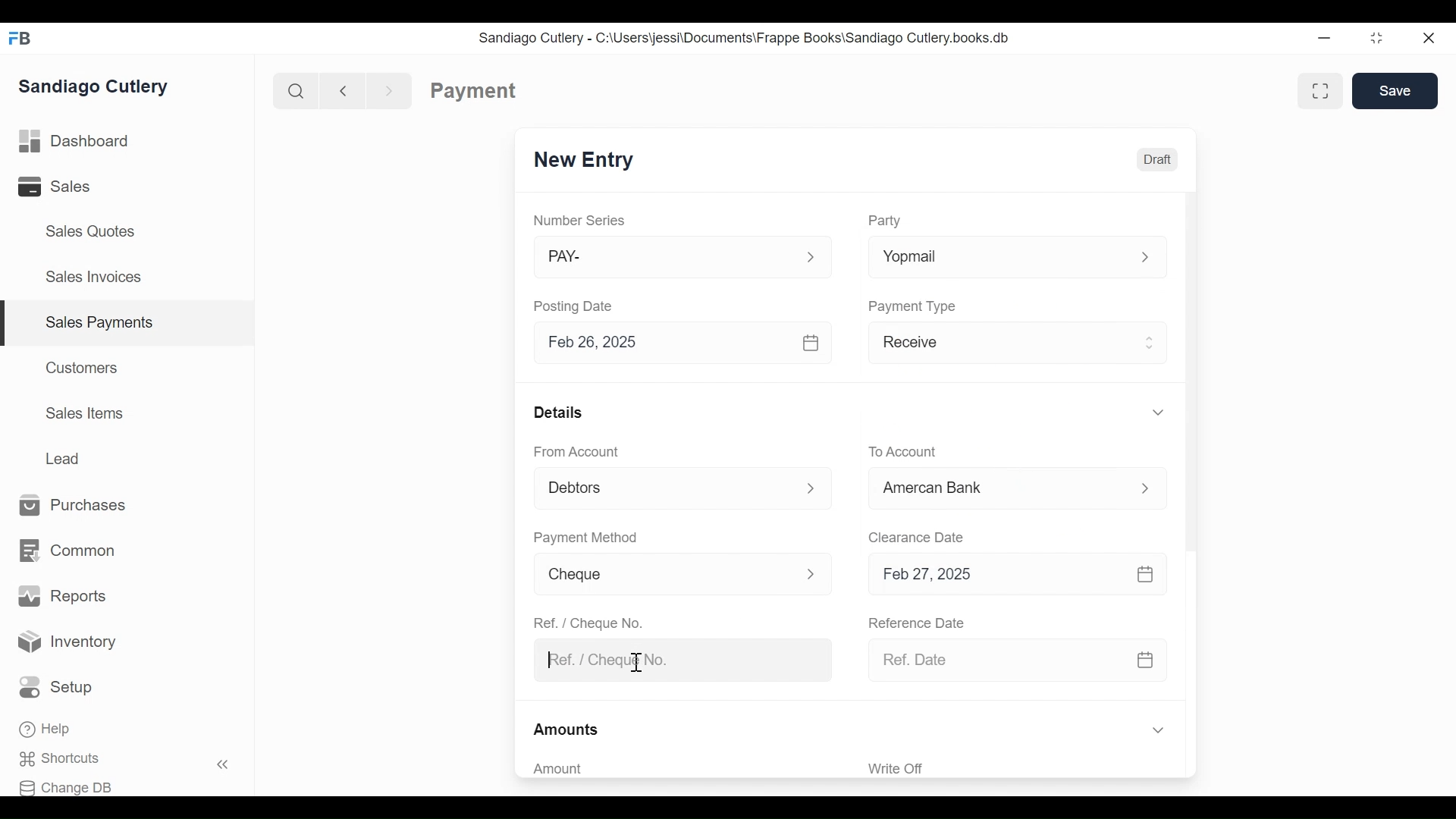  Describe the element at coordinates (1430, 38) in the screenshot. I see `Close ` at that location.